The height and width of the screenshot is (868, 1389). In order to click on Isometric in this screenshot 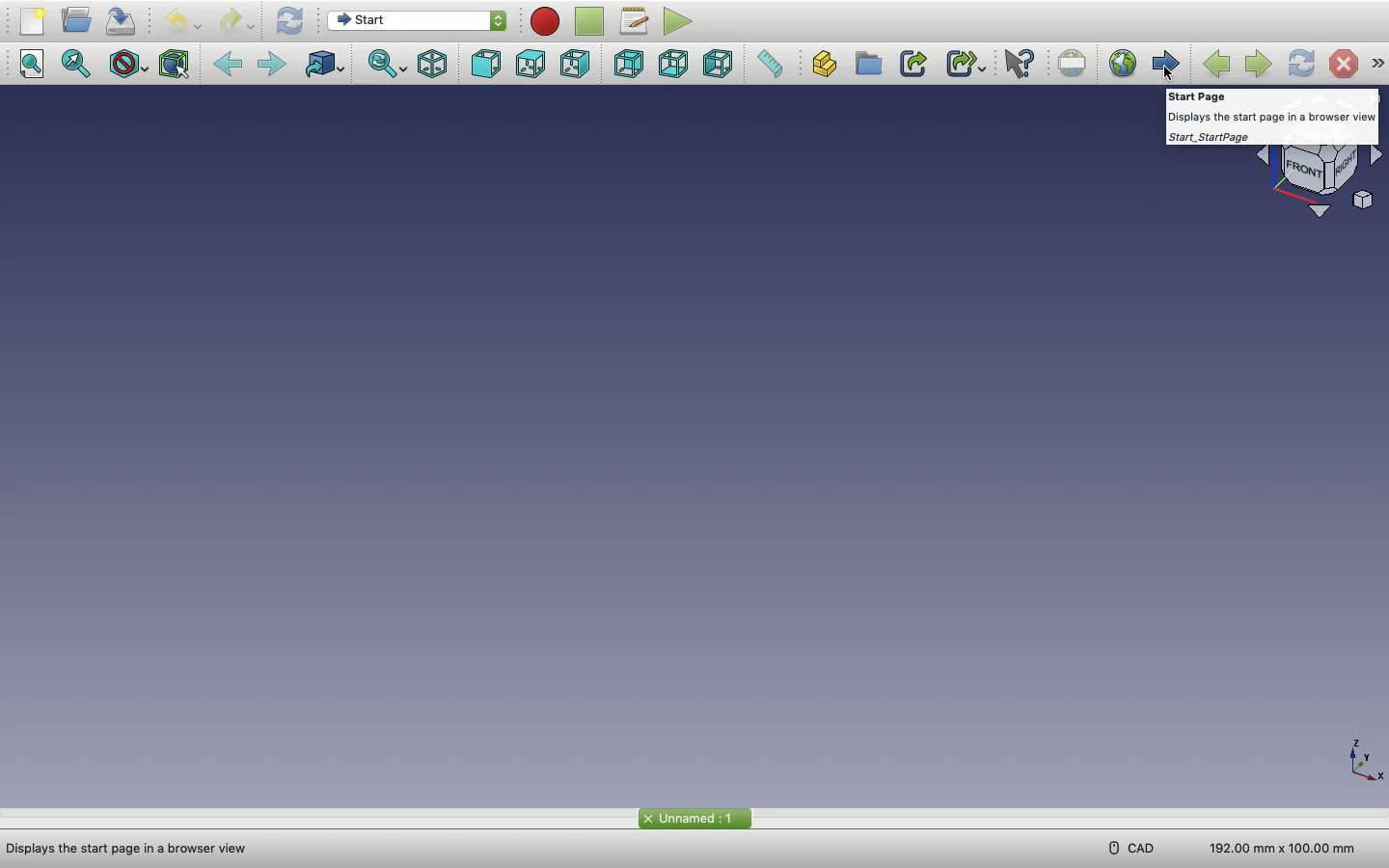, I will do `click(434, 66)`.